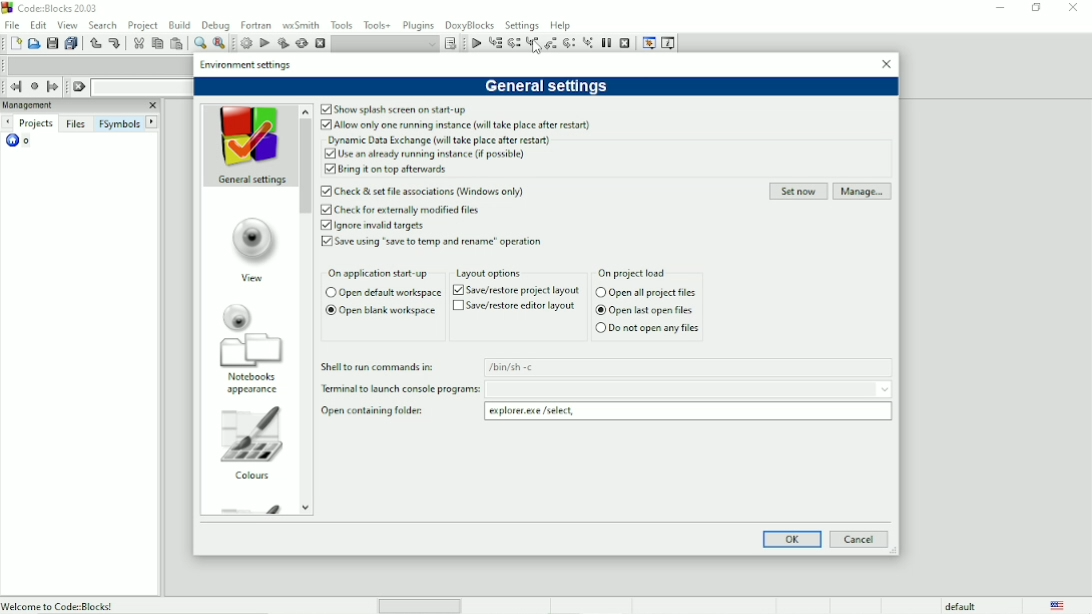 Image resolution: width=1092 pixels, height=614 pixels. Describe the element at coordinates (247, 43) in the screenshot. I see `Build` at that location.